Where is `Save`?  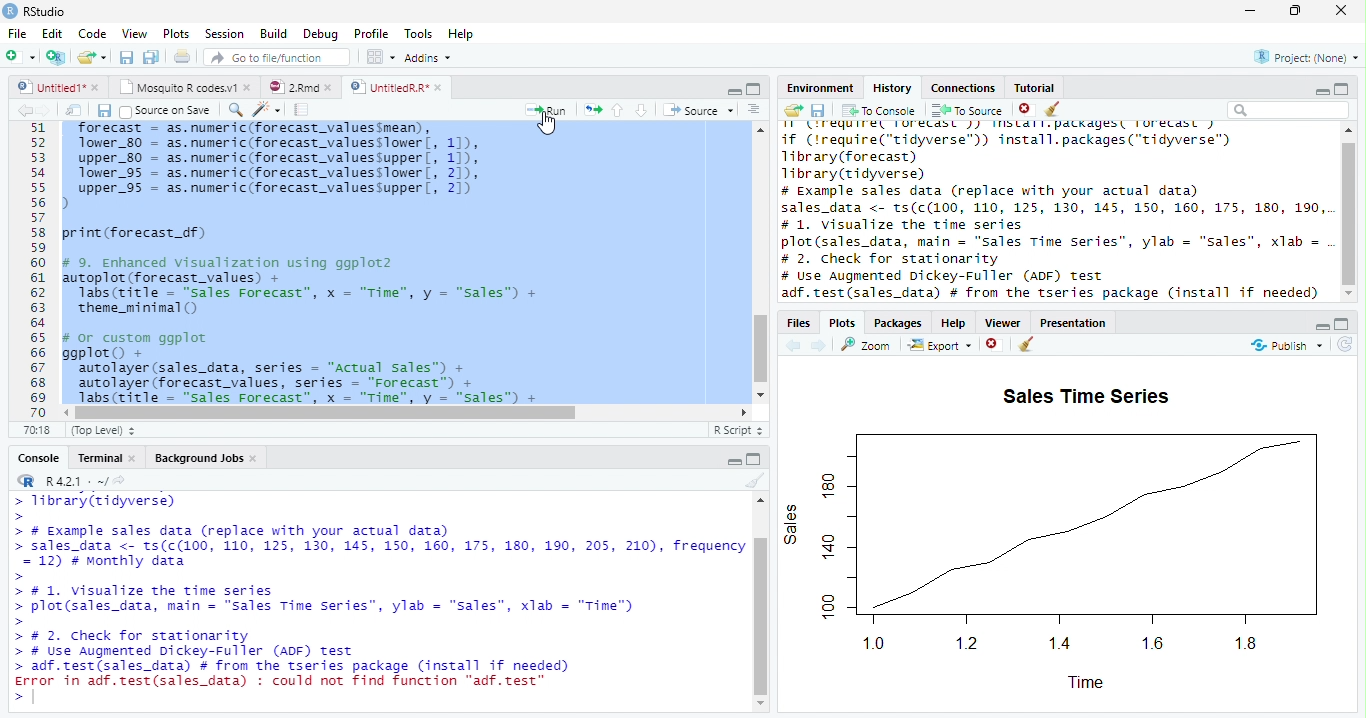 Save is located at coordinates (125, 56).